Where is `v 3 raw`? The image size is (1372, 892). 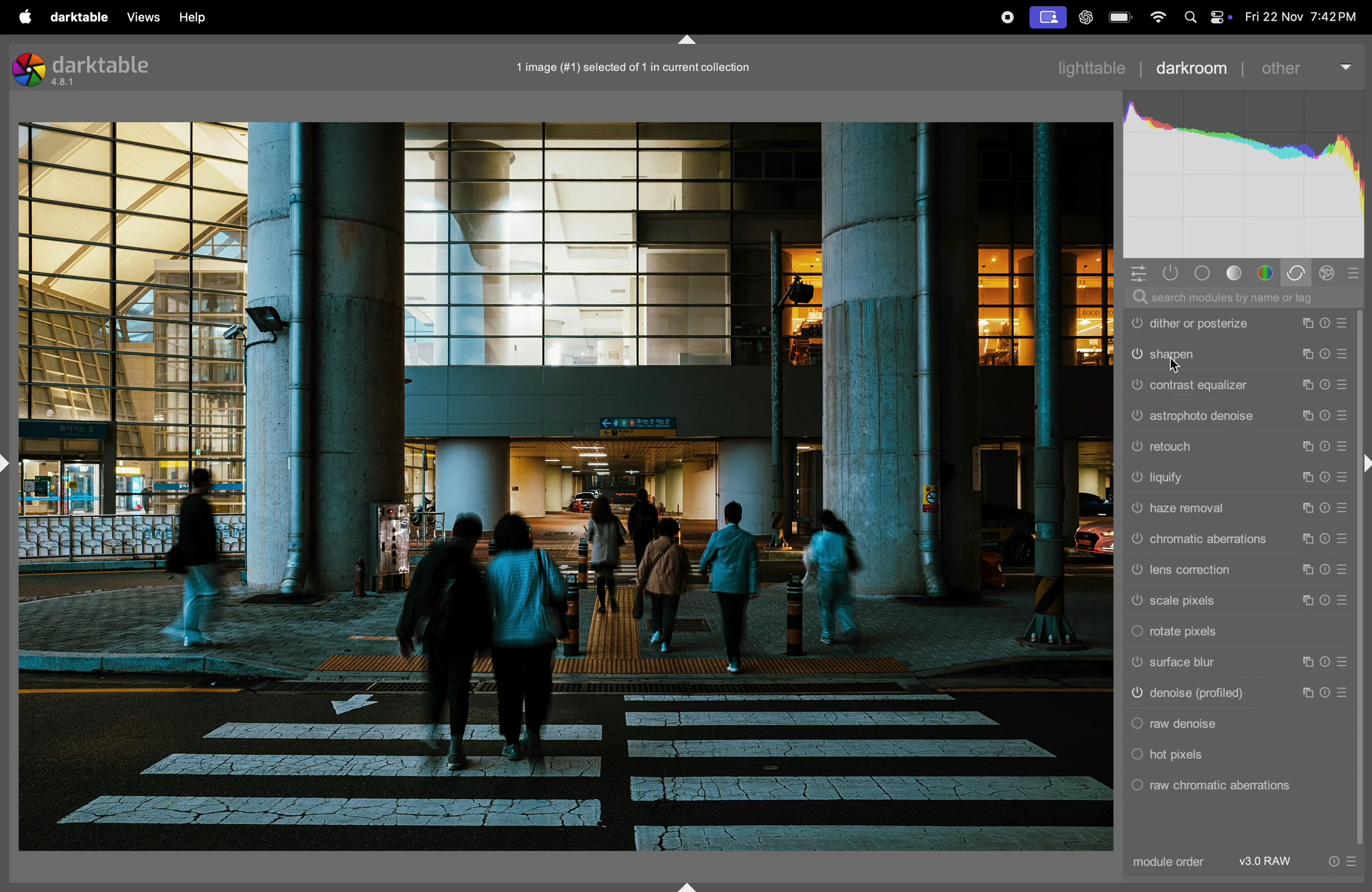 v 3 raw is located at coordinates (1269, 861).